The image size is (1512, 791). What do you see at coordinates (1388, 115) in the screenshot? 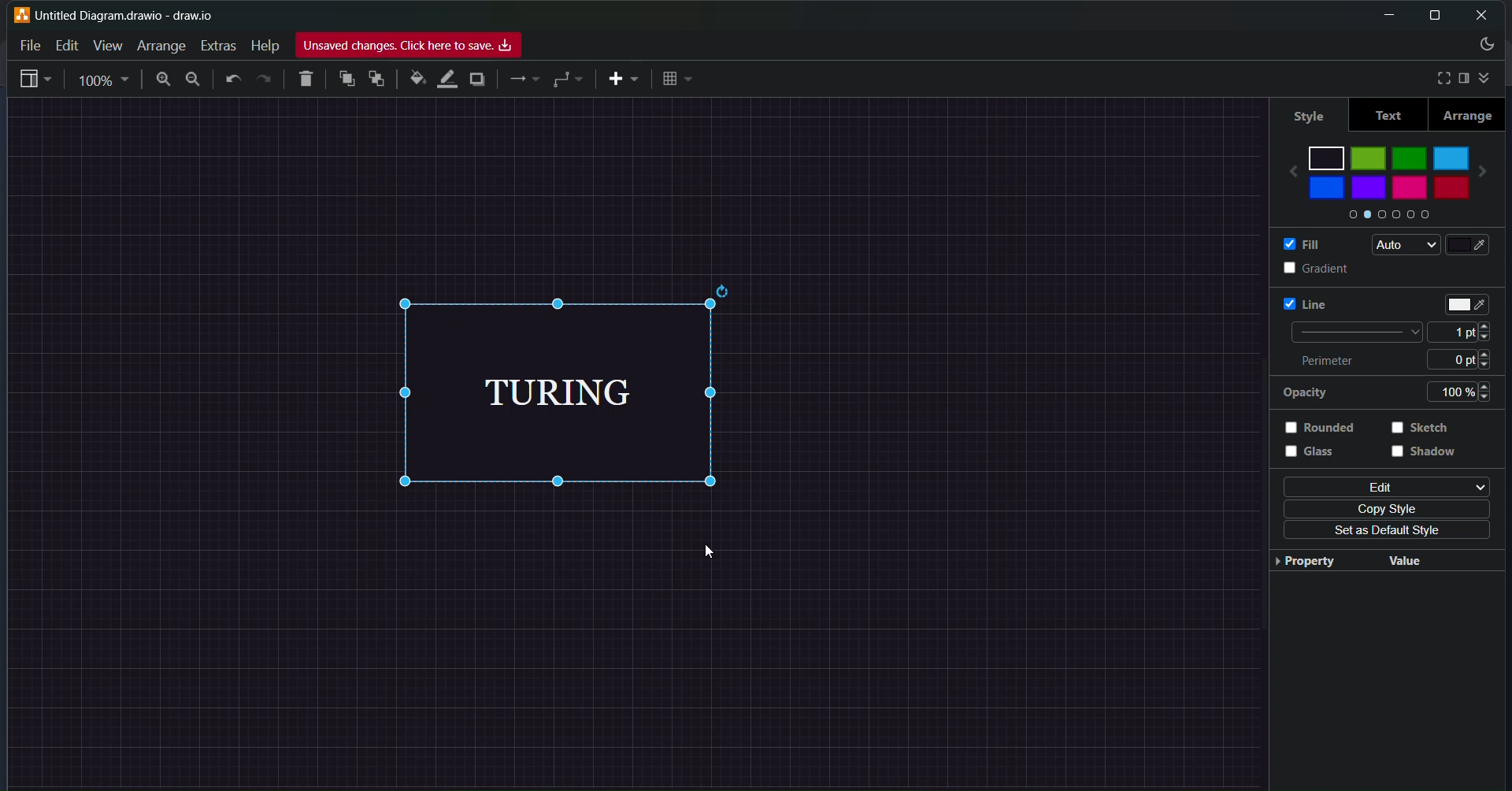
I see `text` at bounding box center [1388, 115].